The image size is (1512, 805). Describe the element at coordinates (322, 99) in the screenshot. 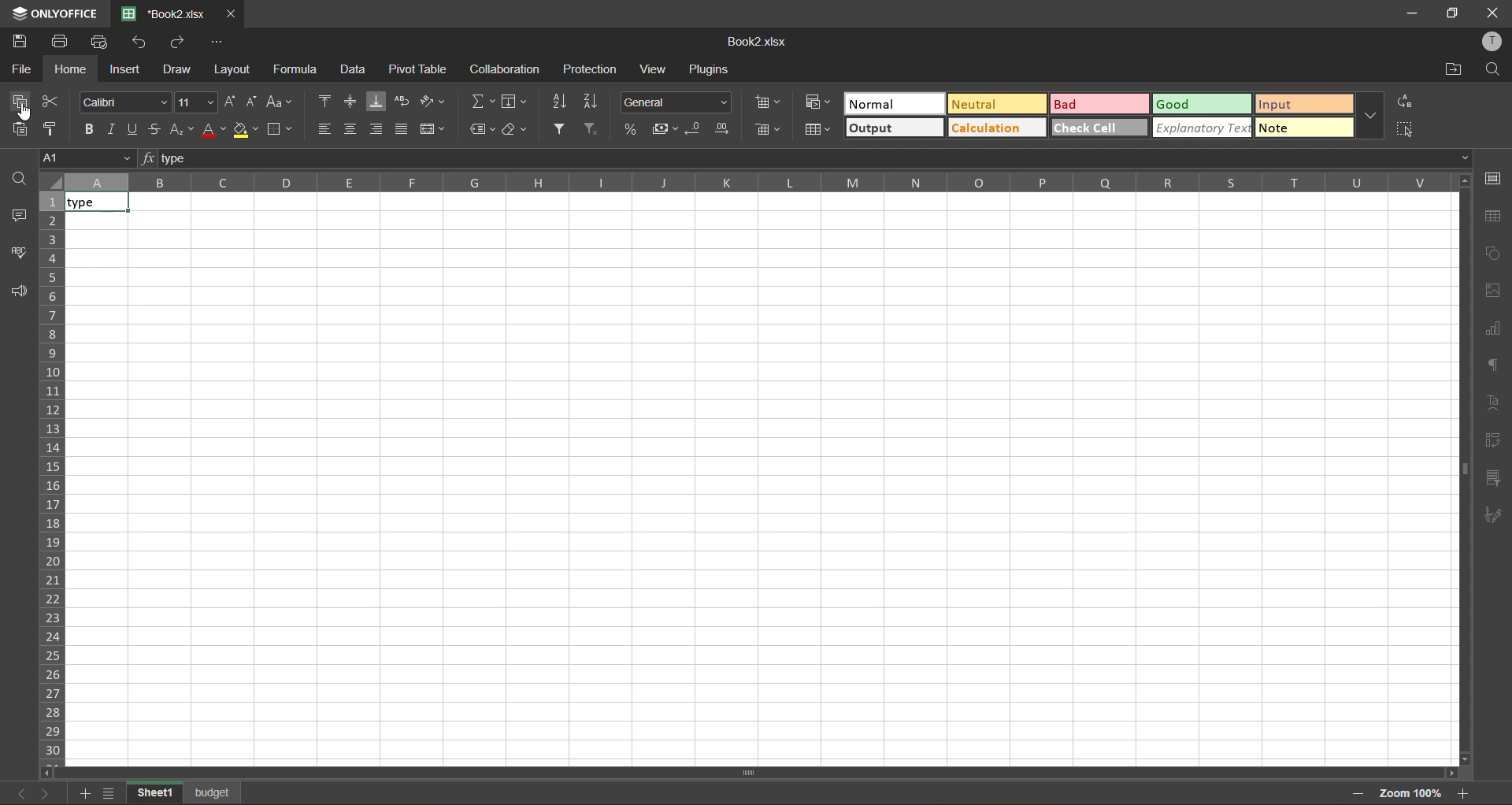

I see `align top` at that location.